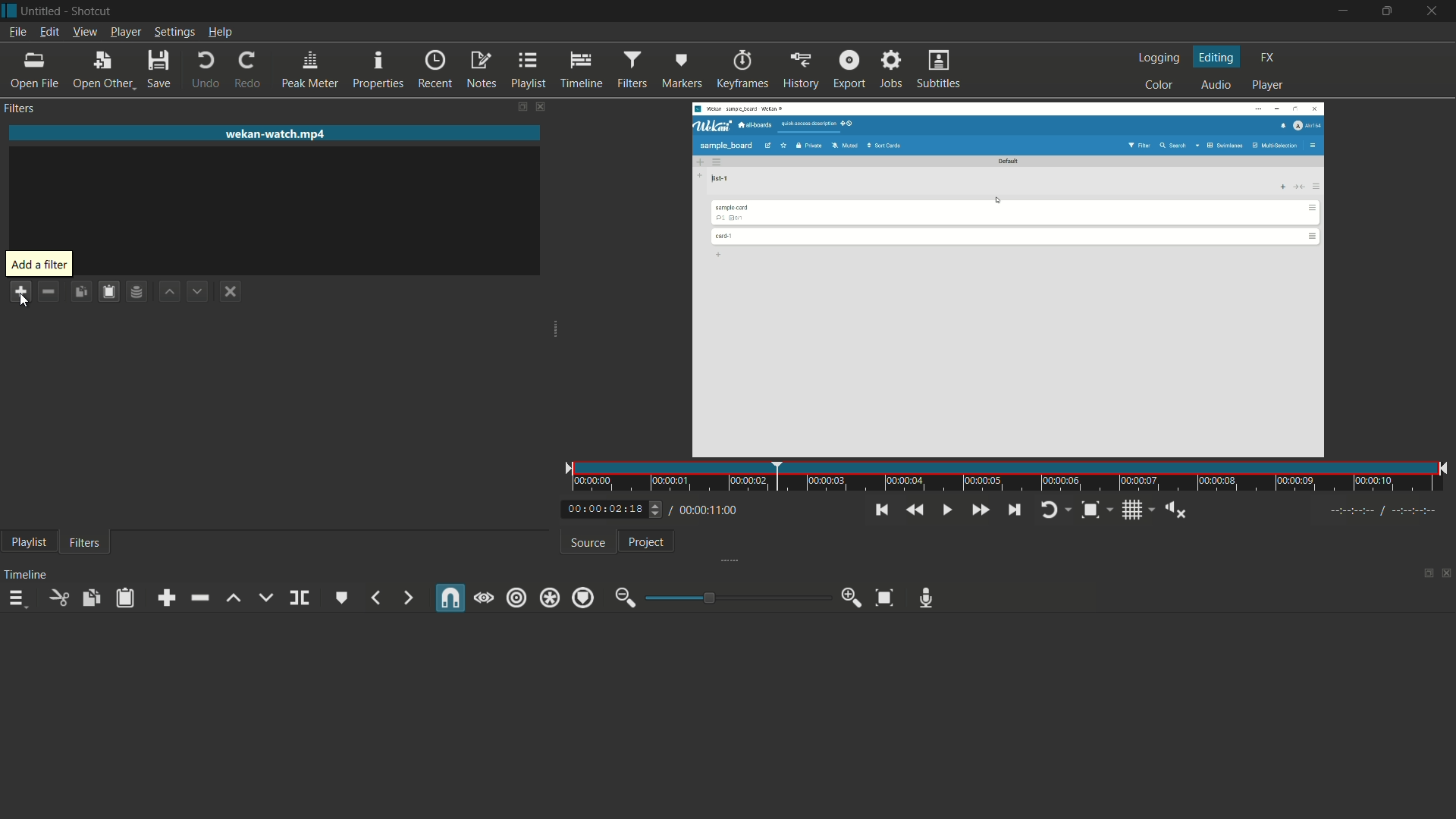  I want to click on cut, so click(60, 598).